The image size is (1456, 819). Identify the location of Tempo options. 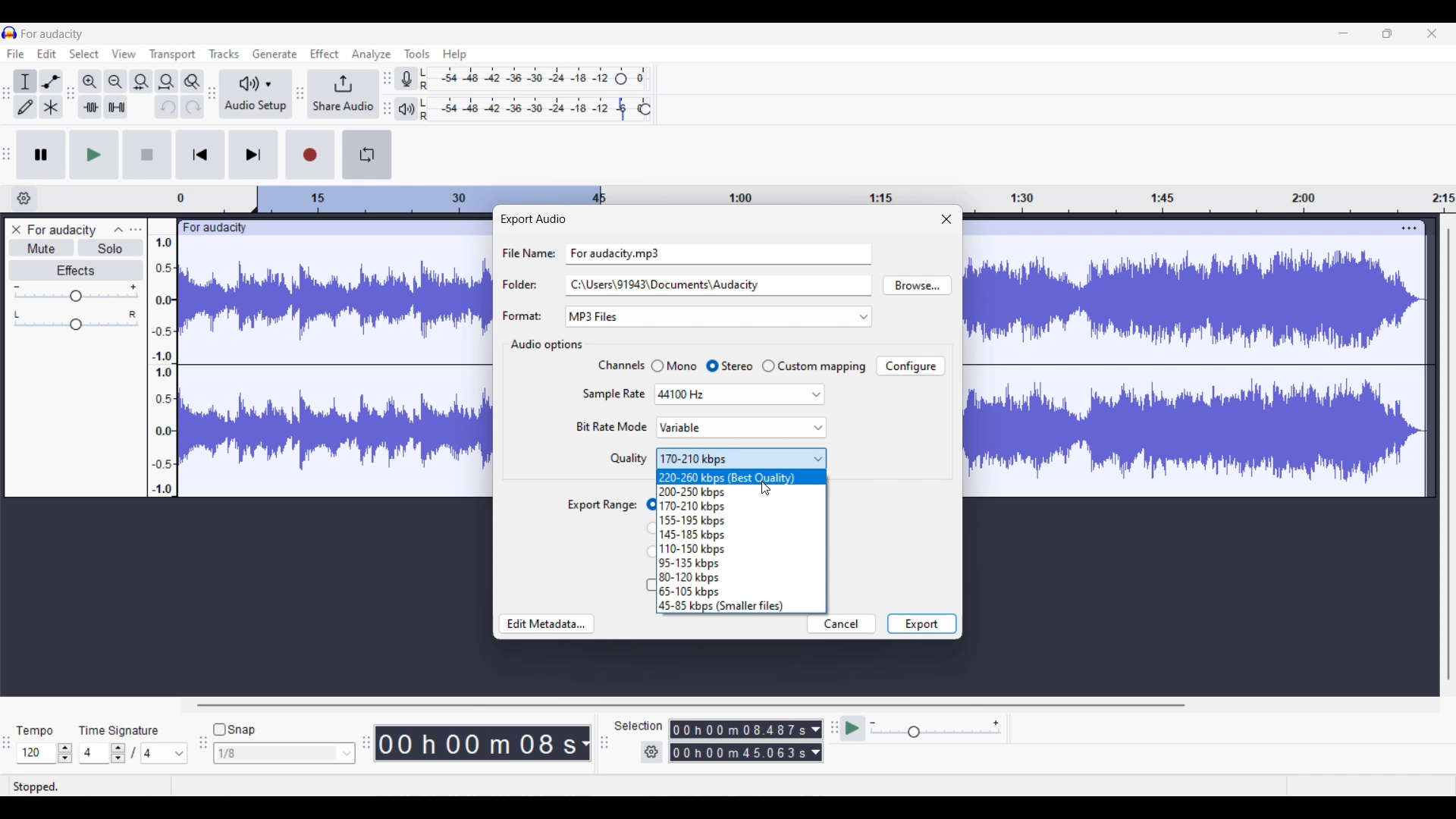
(35, 752).